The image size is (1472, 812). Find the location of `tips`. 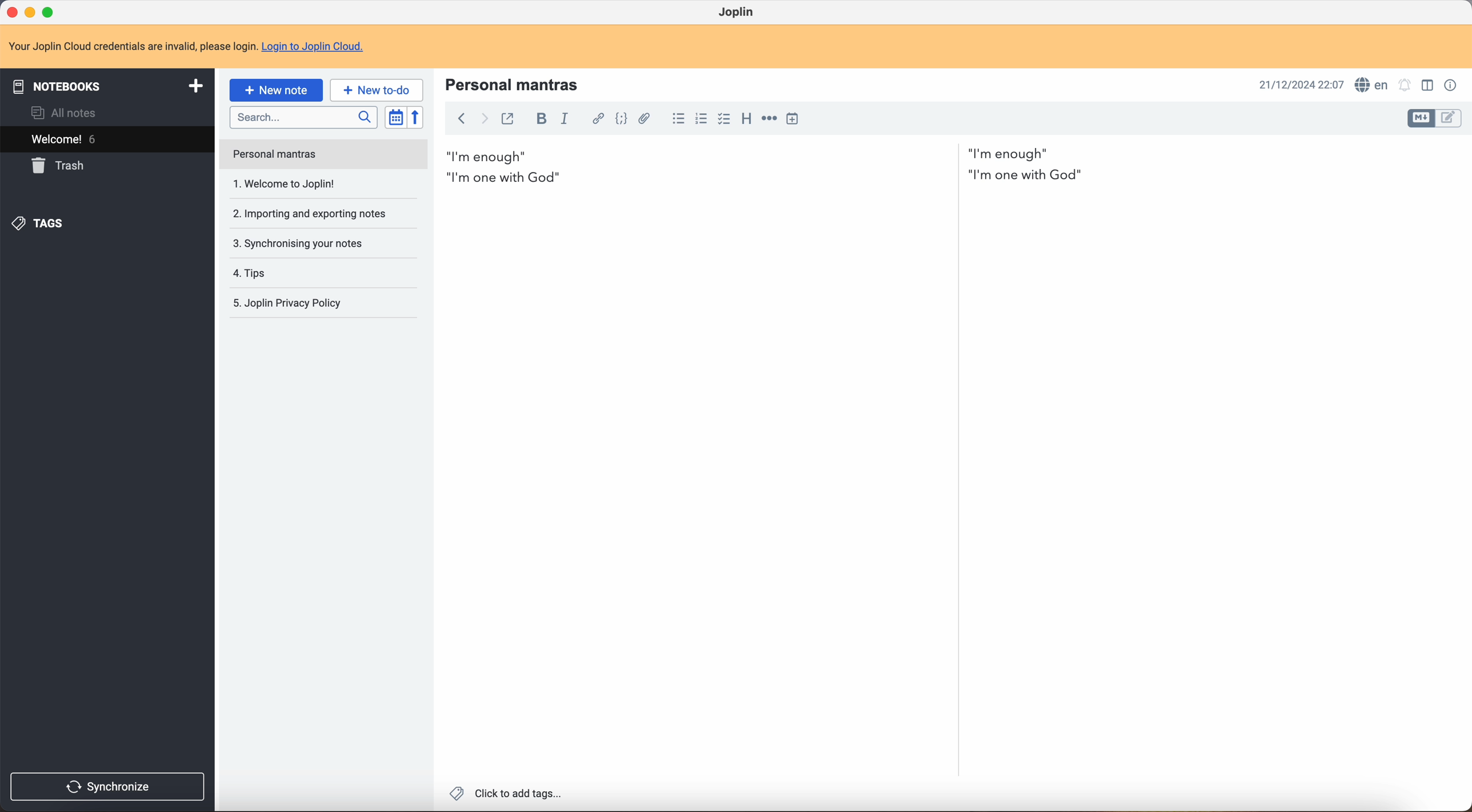

tips is located at coordinates (294, 245).